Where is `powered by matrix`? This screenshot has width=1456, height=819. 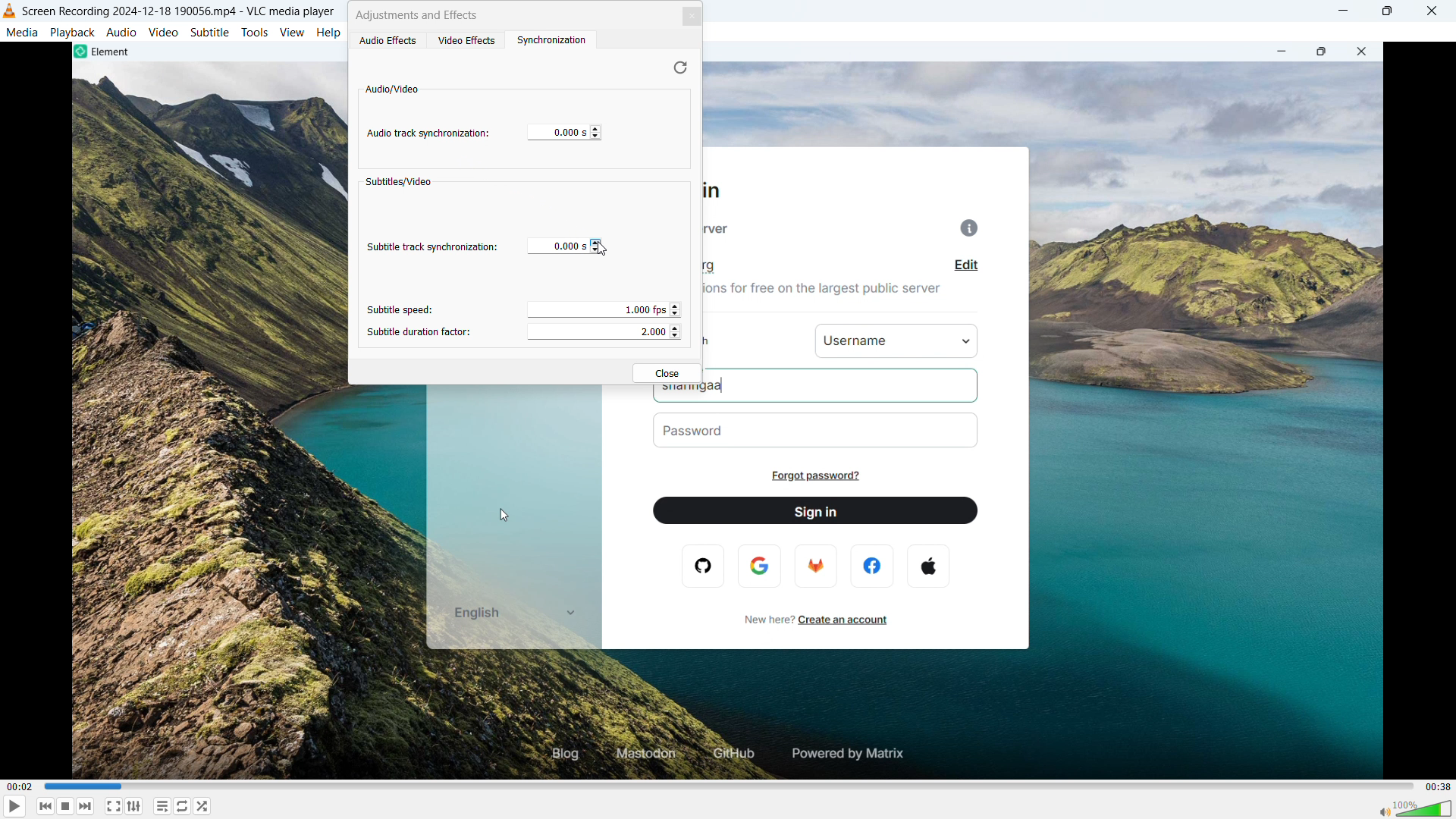 powered by matrix is located at coordinates (847, 753).